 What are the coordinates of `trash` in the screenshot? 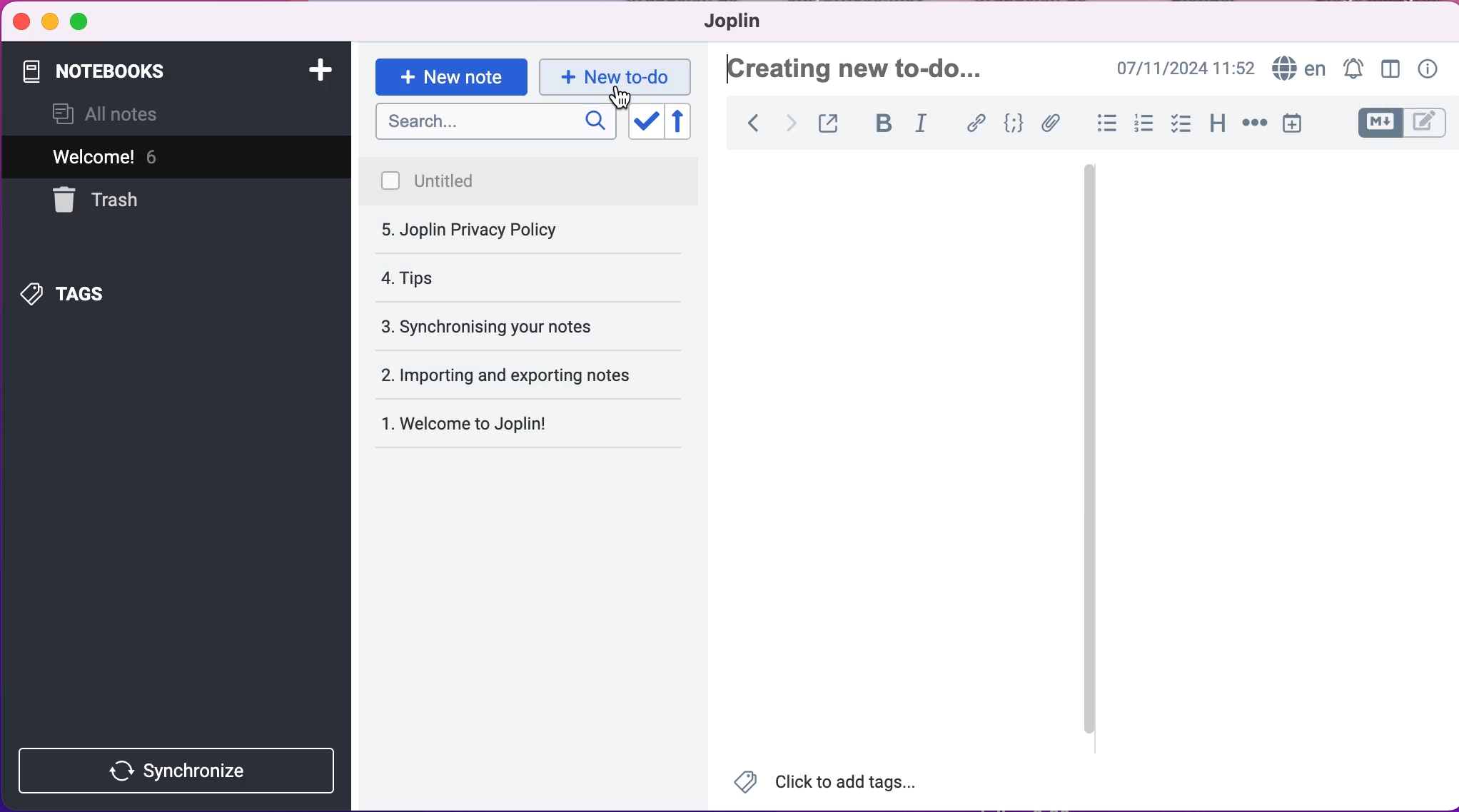 It's located at (131, 200).